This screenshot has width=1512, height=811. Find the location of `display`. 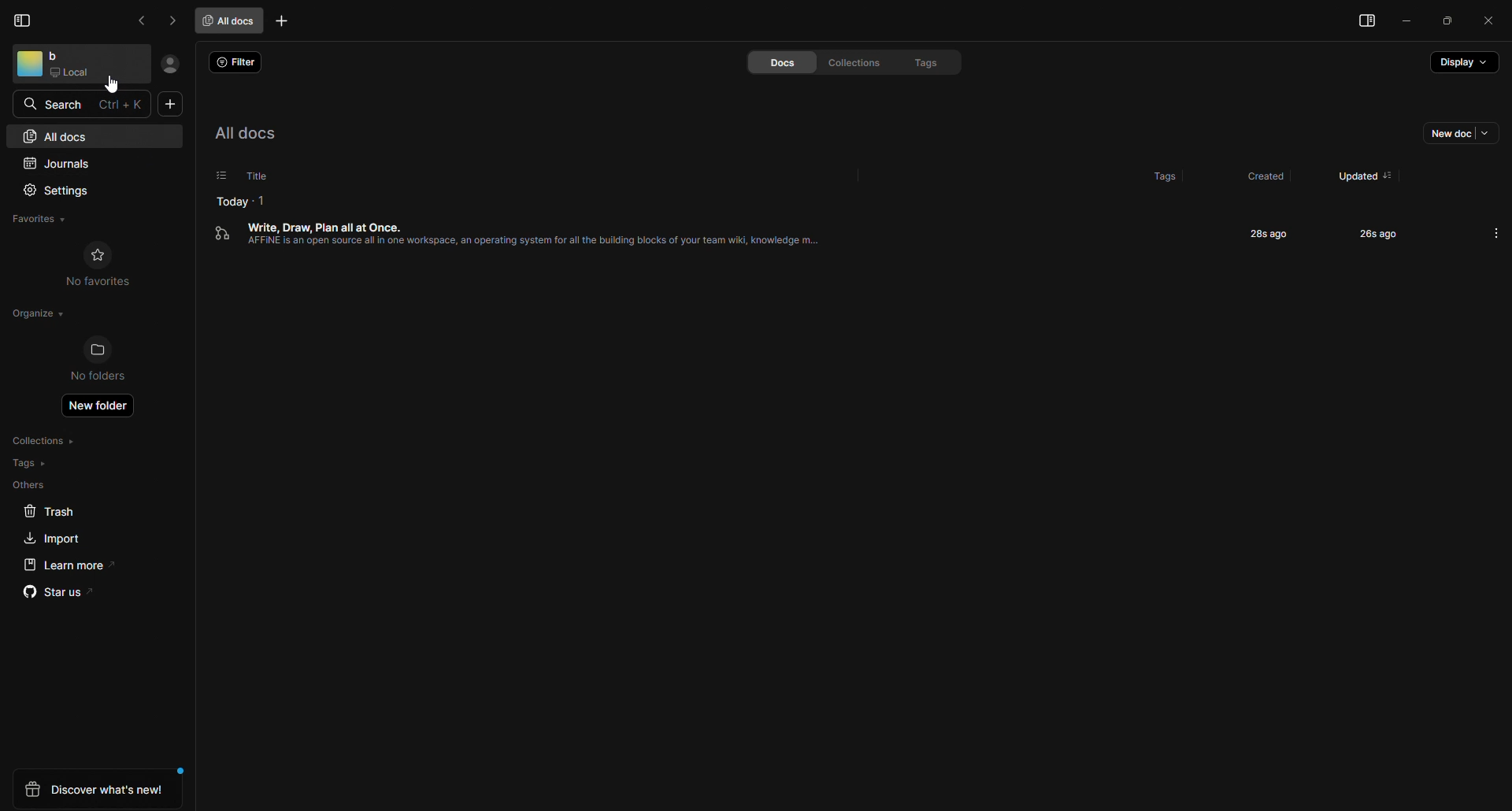

display is located at coordinates (1462, 67).